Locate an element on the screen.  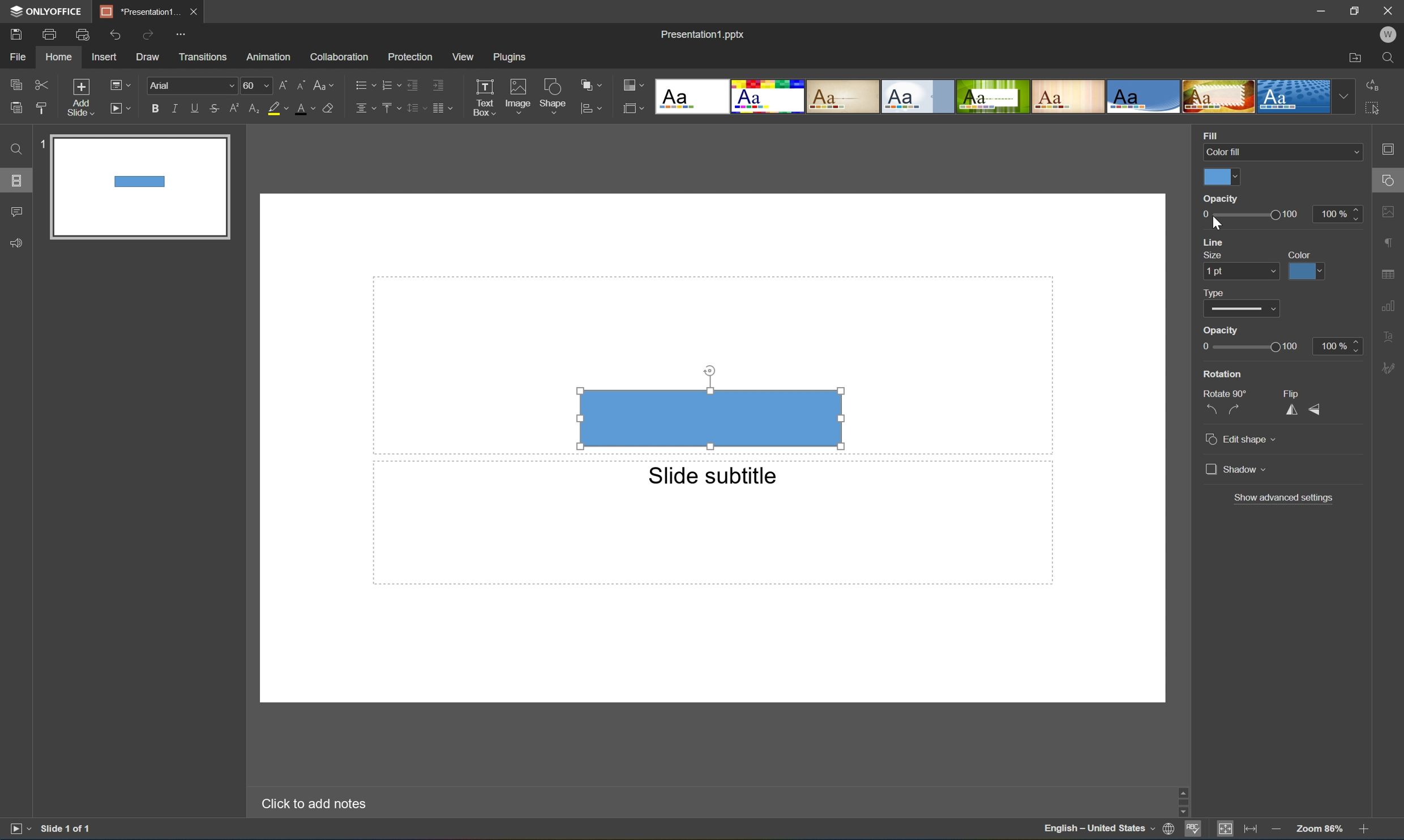
1 is located at coordinates (38, 146).